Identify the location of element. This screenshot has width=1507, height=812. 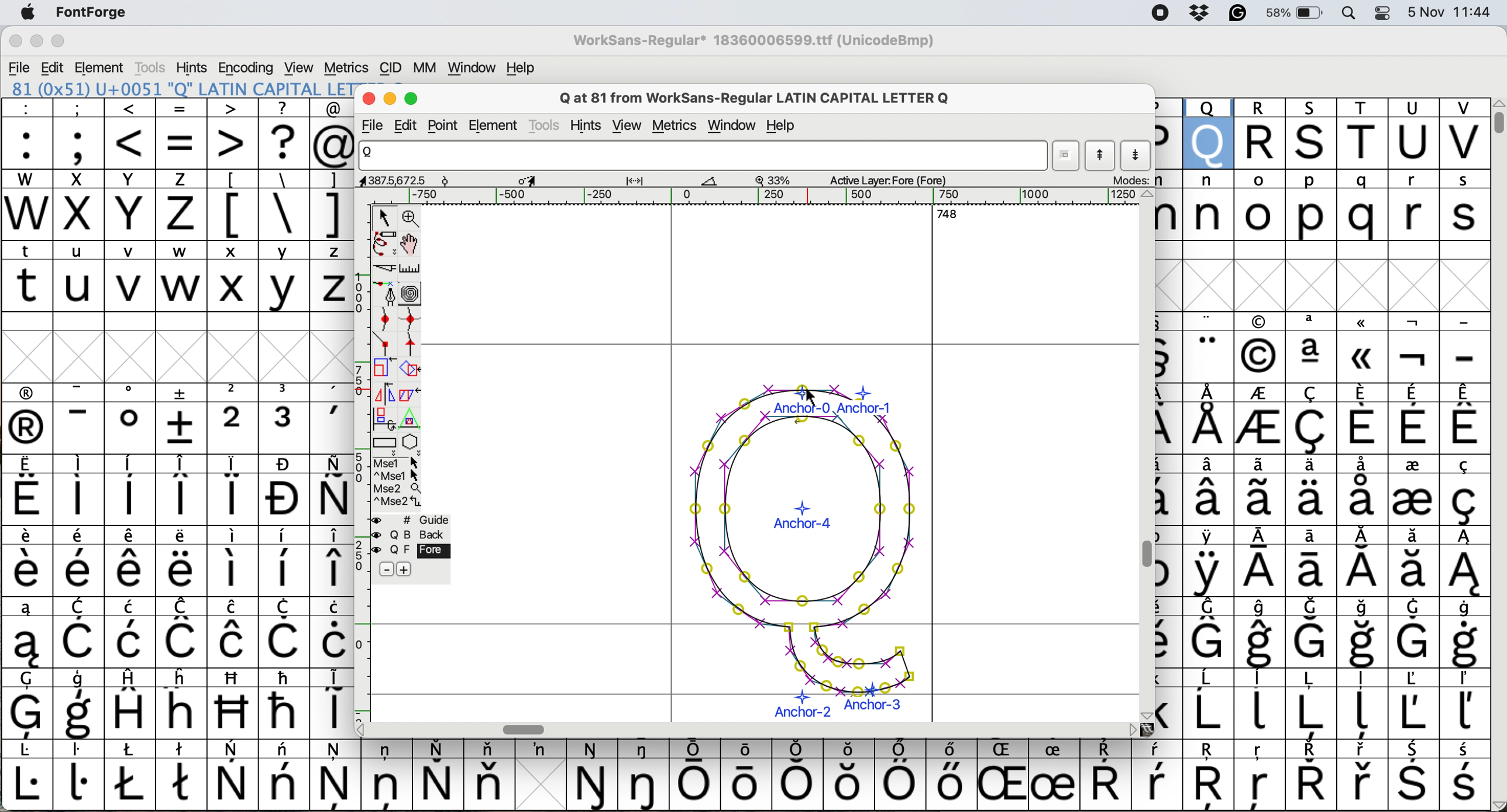
(497, 125).